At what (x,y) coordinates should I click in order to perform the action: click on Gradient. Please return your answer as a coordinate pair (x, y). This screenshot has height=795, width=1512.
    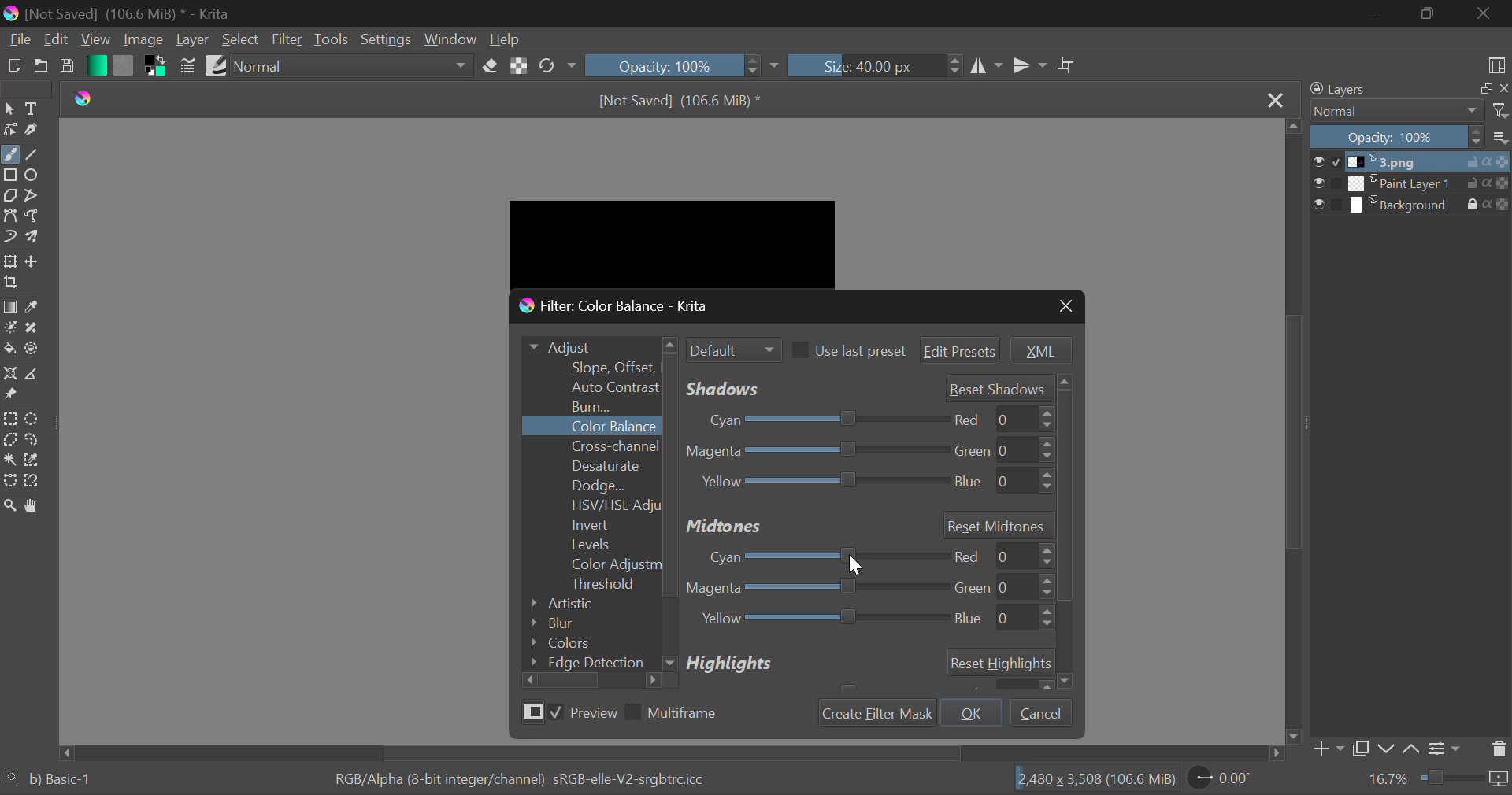
    Looking at the image, I should click on (95, 66).